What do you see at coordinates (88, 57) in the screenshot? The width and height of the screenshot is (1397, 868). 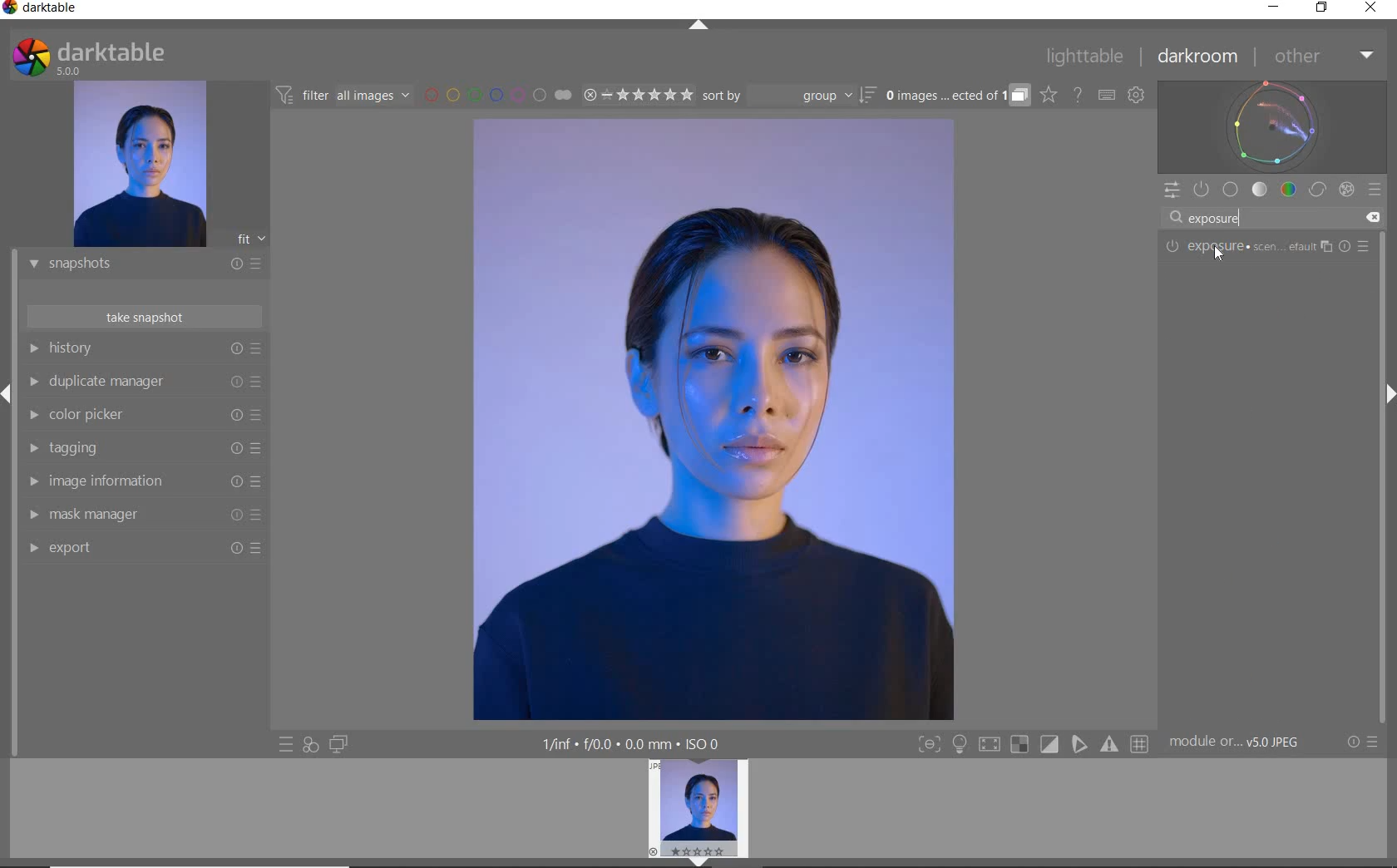 I see `SYSTEM LOGO` at bounding box center [88, 57].